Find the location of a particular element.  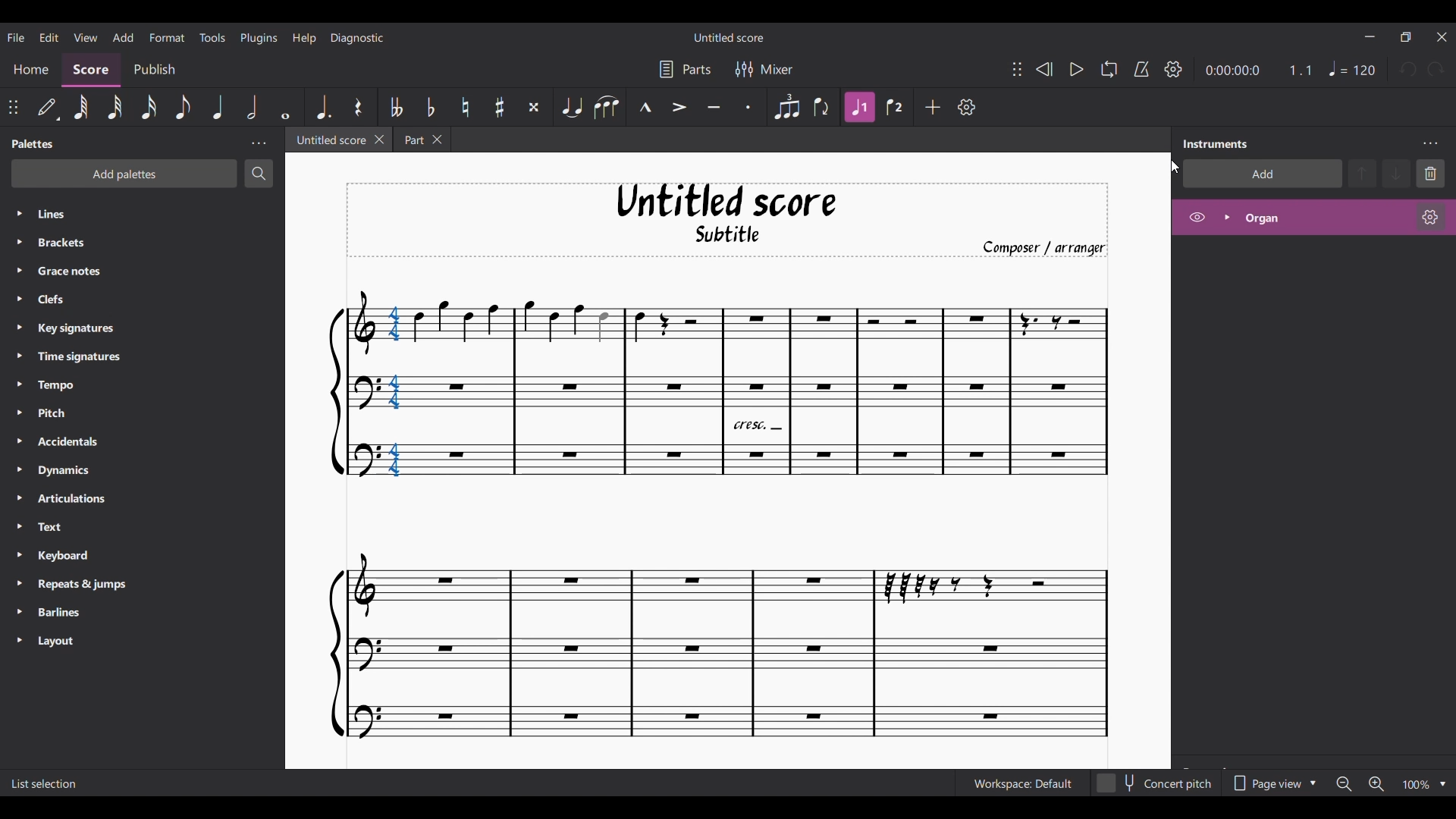

Expand organ is located at coordinates (1227, 217).